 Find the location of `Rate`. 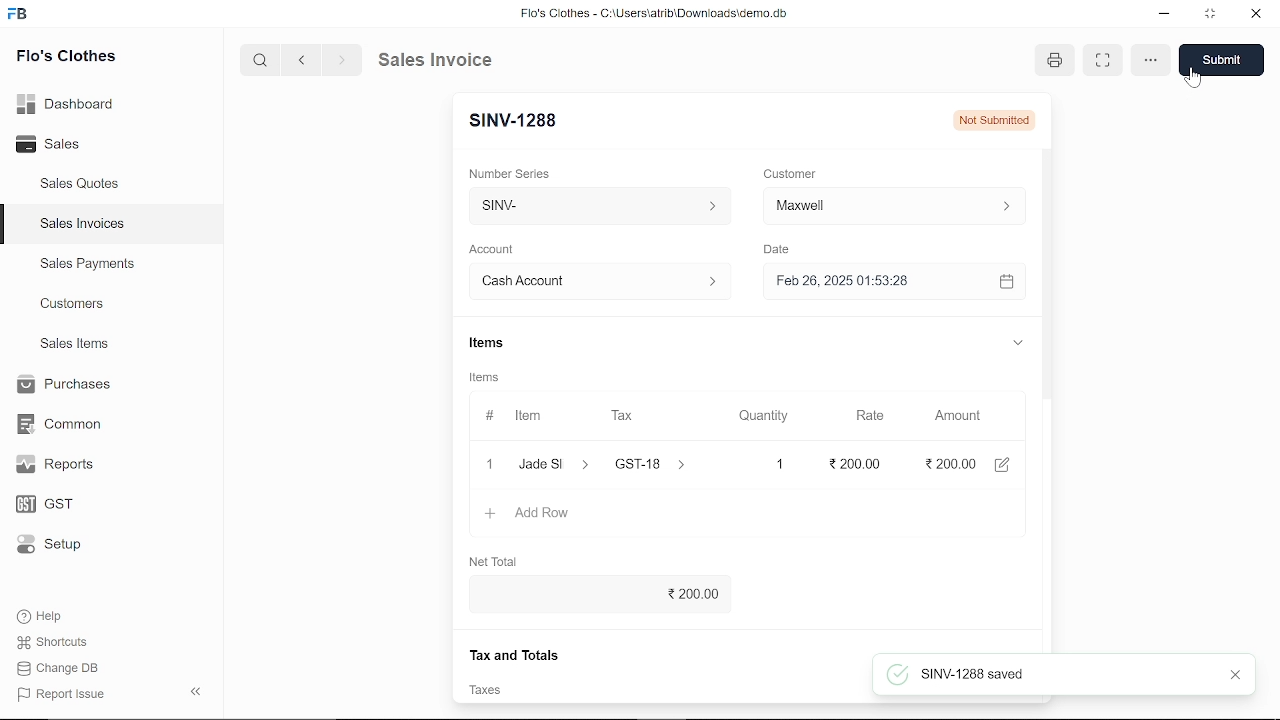

Rate is located at coordinates (863, 416).